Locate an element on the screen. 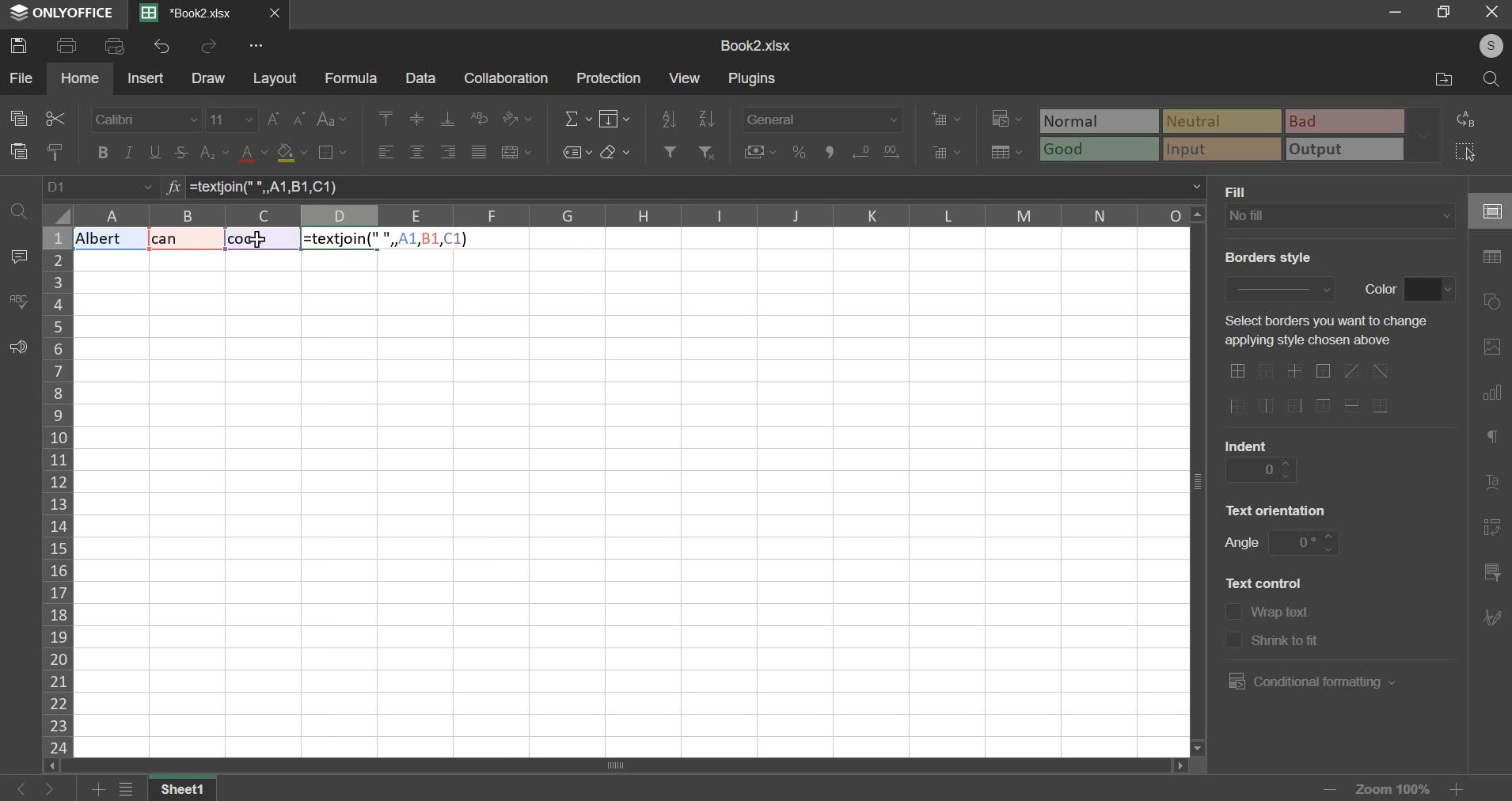 This screenshot has width=1512, height=801. add filter is located at coordinates (668, 150).